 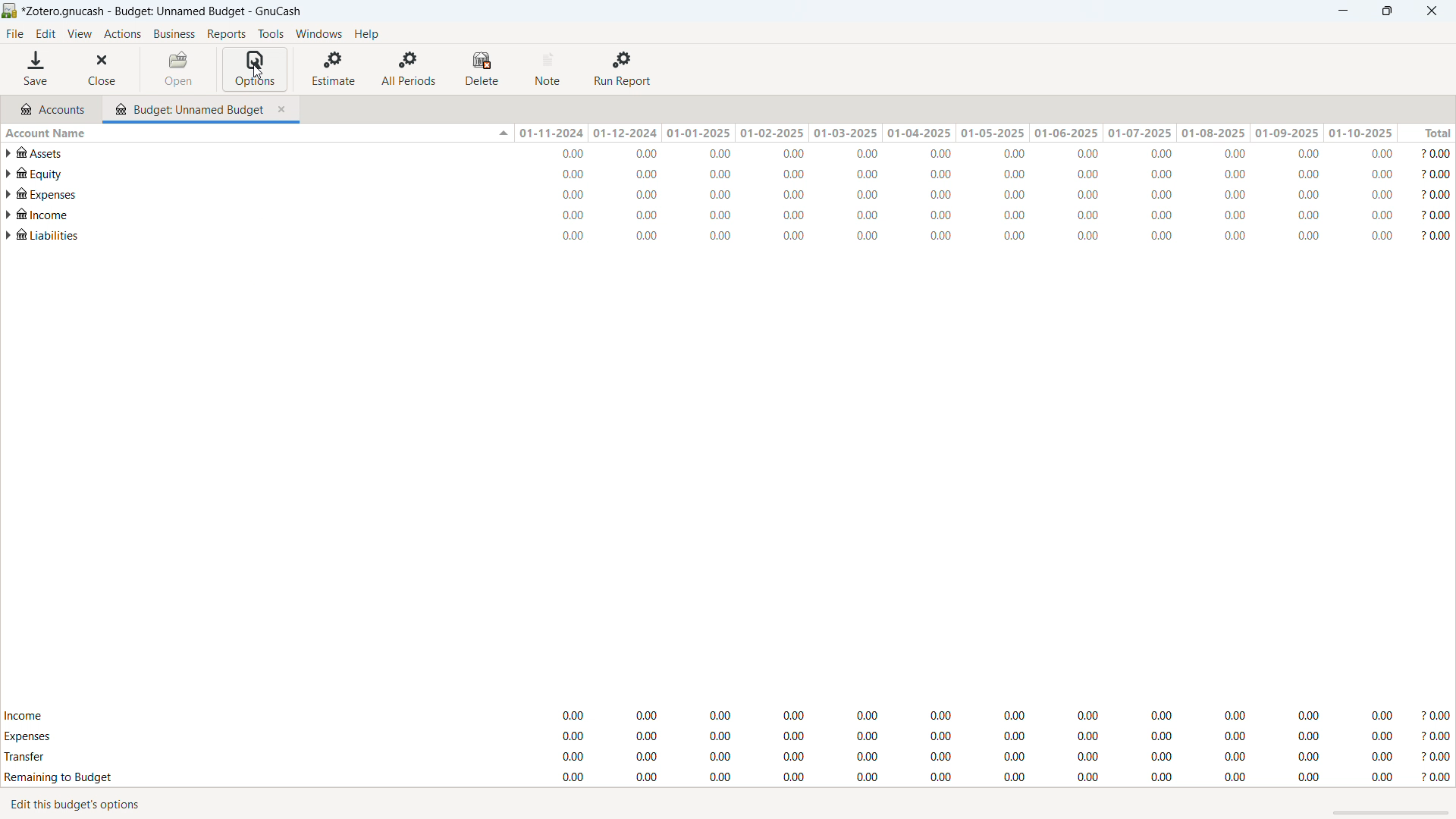 I want to click on 01-11-2024, so click(x=551, y=133).